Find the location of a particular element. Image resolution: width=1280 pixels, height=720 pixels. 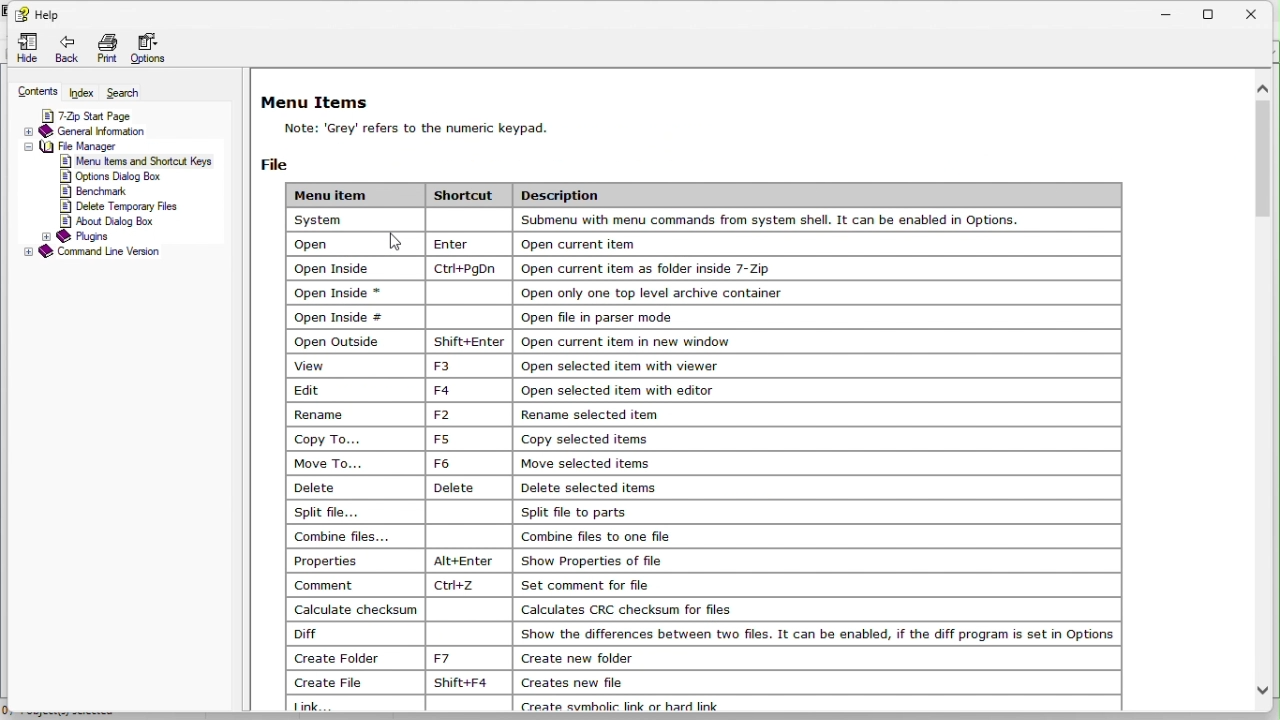

Search bar is located at coordinates (127, 89).